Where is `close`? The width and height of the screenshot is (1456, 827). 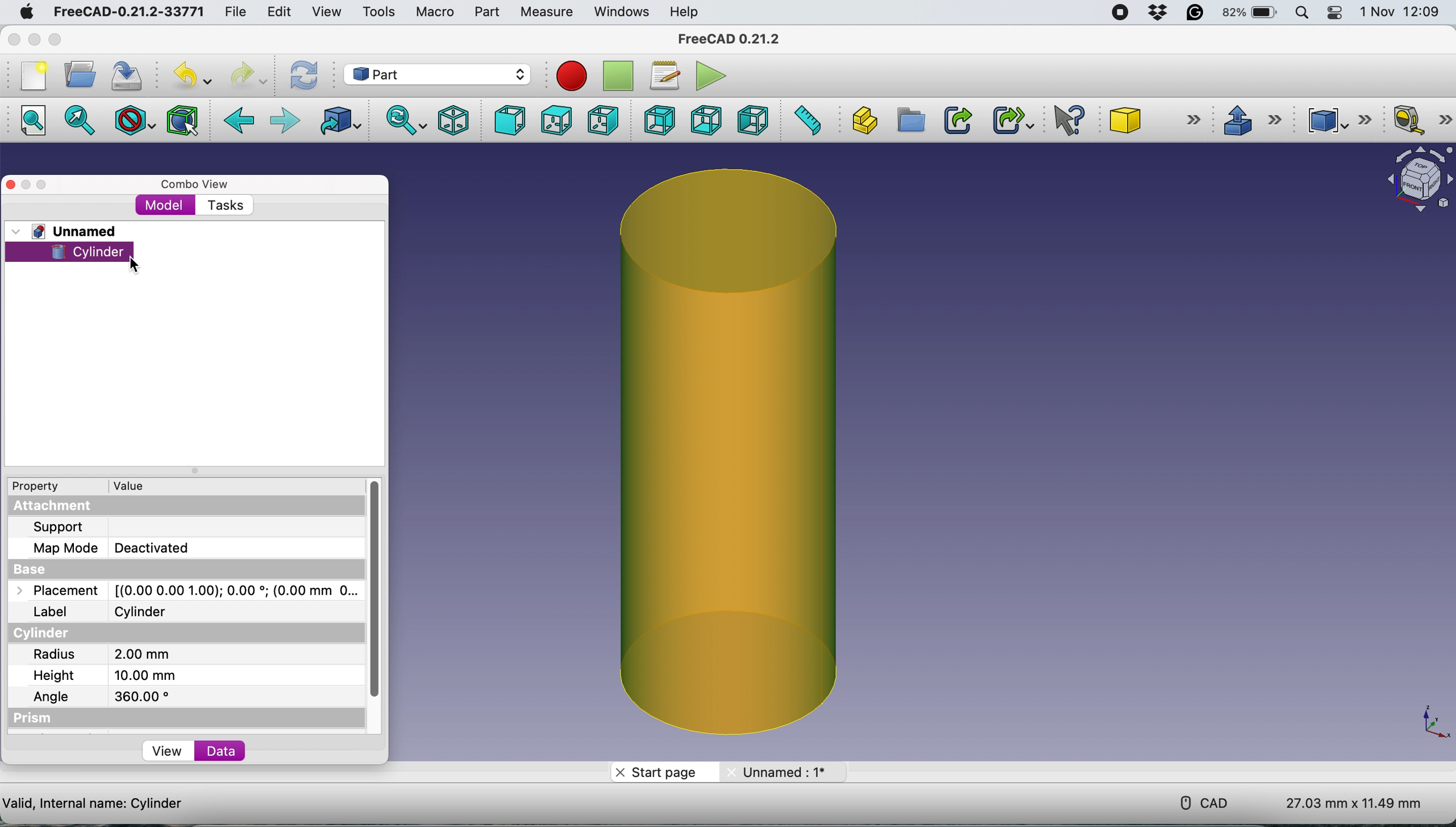 close is located at coordinates (14, 39).